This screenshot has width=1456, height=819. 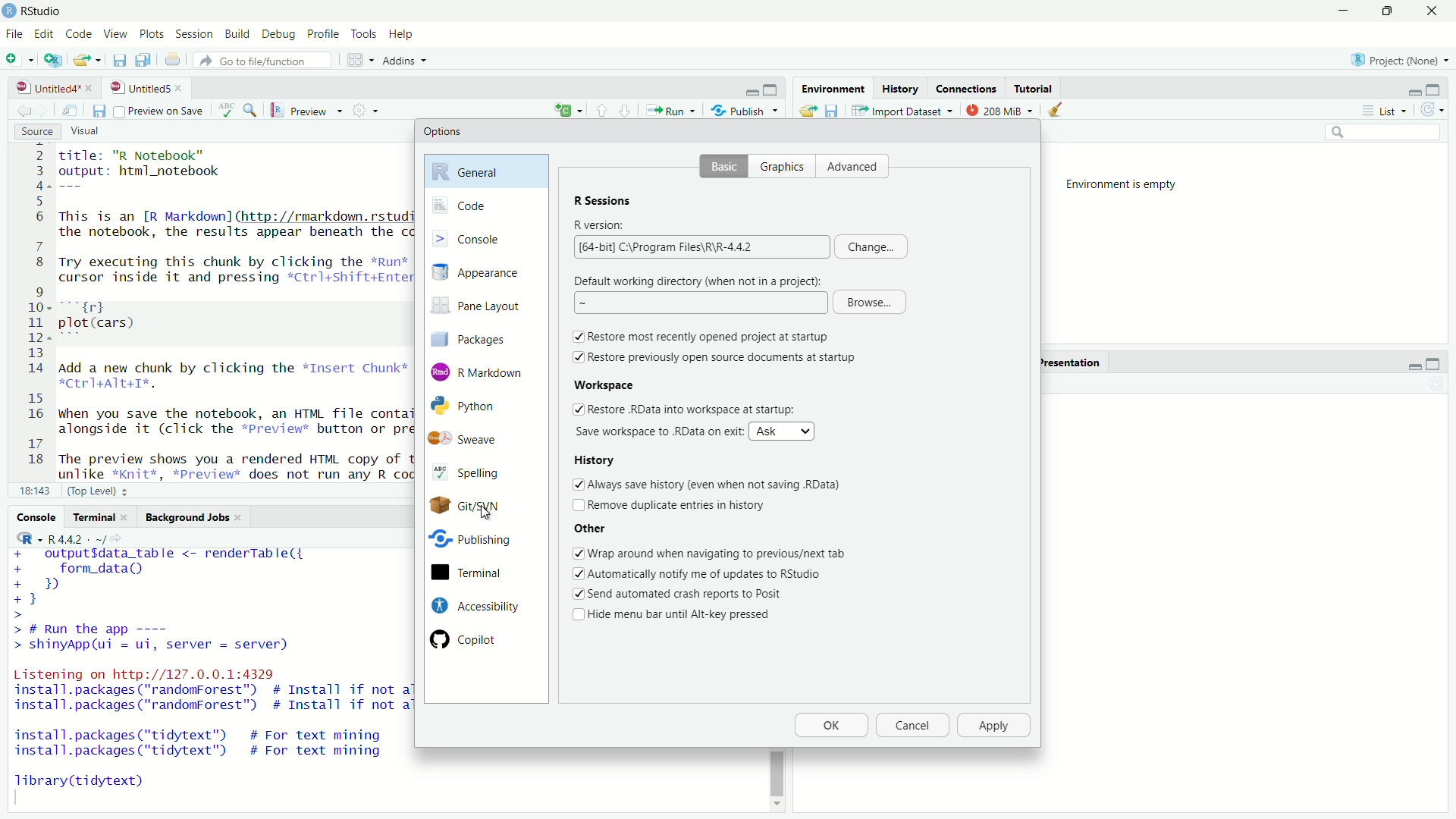 What do you see at coordinates (1431, 11) in the screenshot?
I see `close` at bounding box center [1431, 11].